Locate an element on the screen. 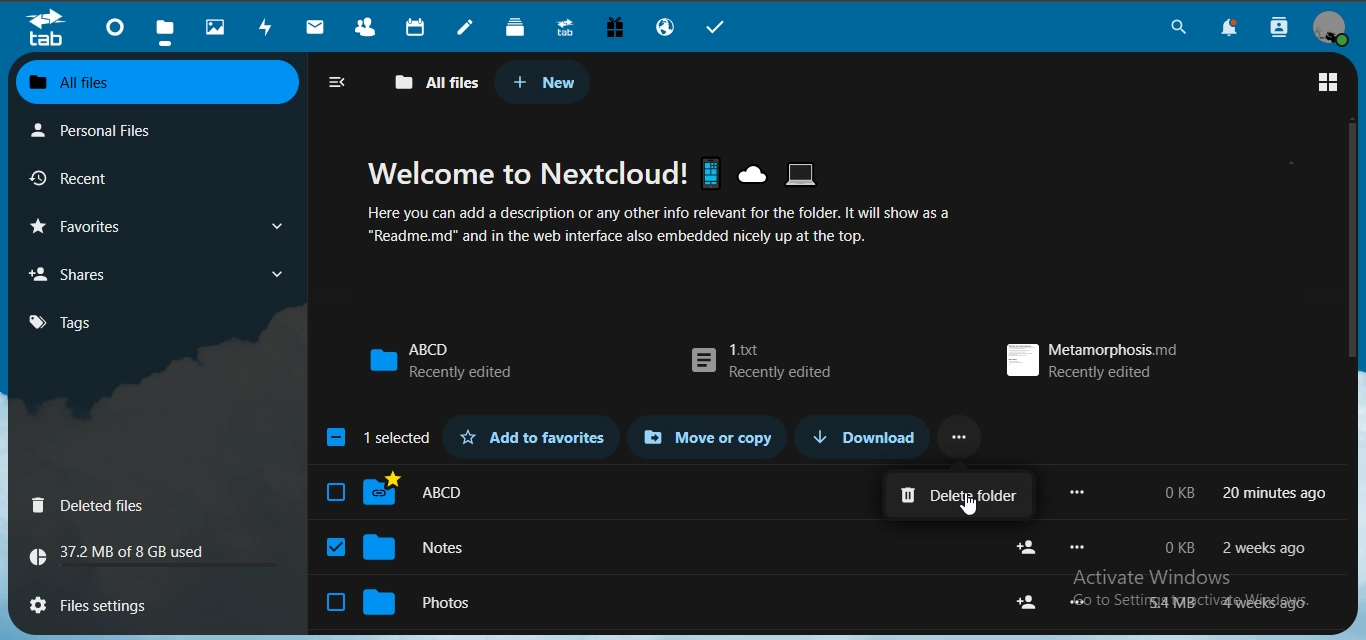 The image size is (1366, 640). favorites is located at coordinates (162, 223).